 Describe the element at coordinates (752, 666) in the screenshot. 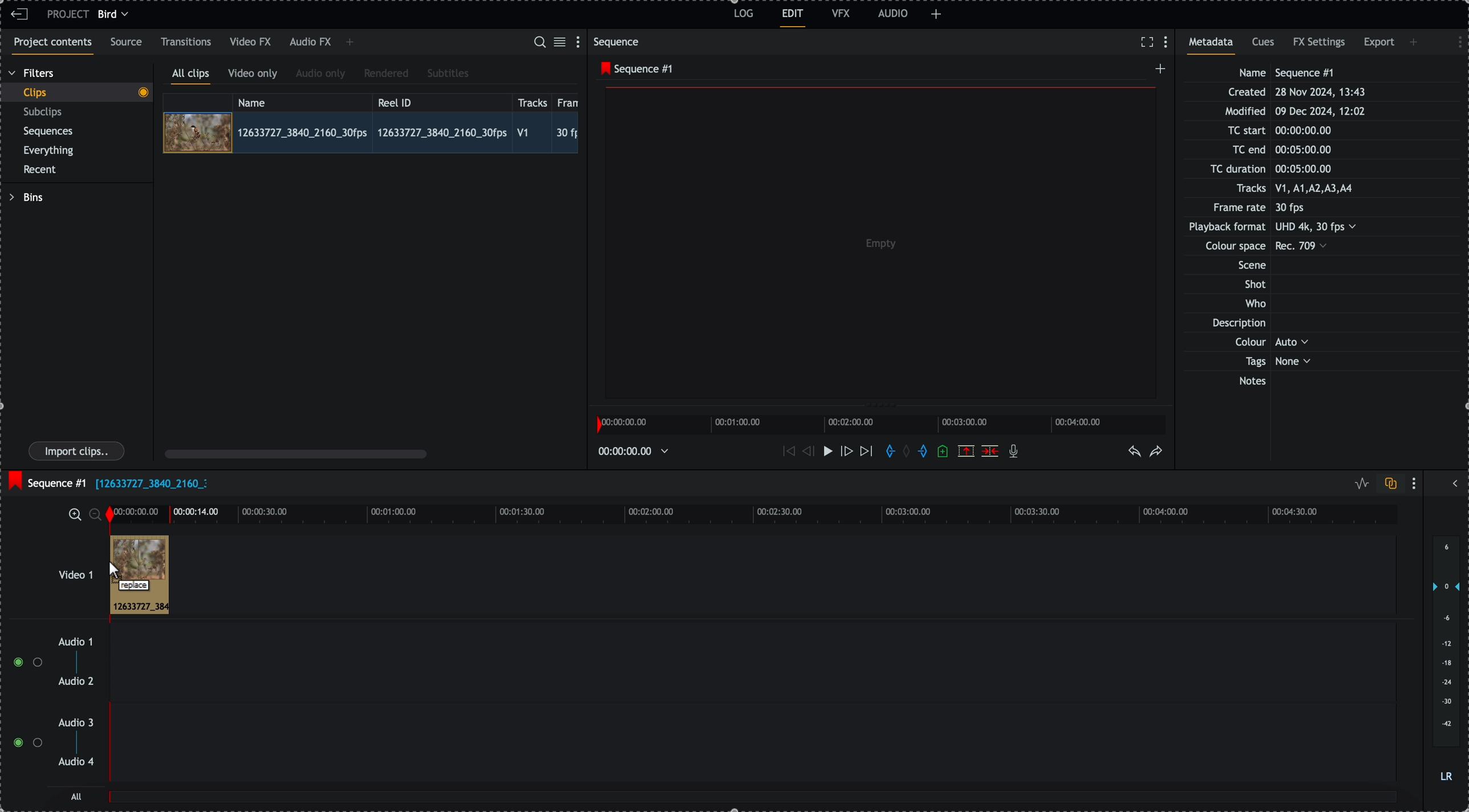

I see `track audio` at that location.